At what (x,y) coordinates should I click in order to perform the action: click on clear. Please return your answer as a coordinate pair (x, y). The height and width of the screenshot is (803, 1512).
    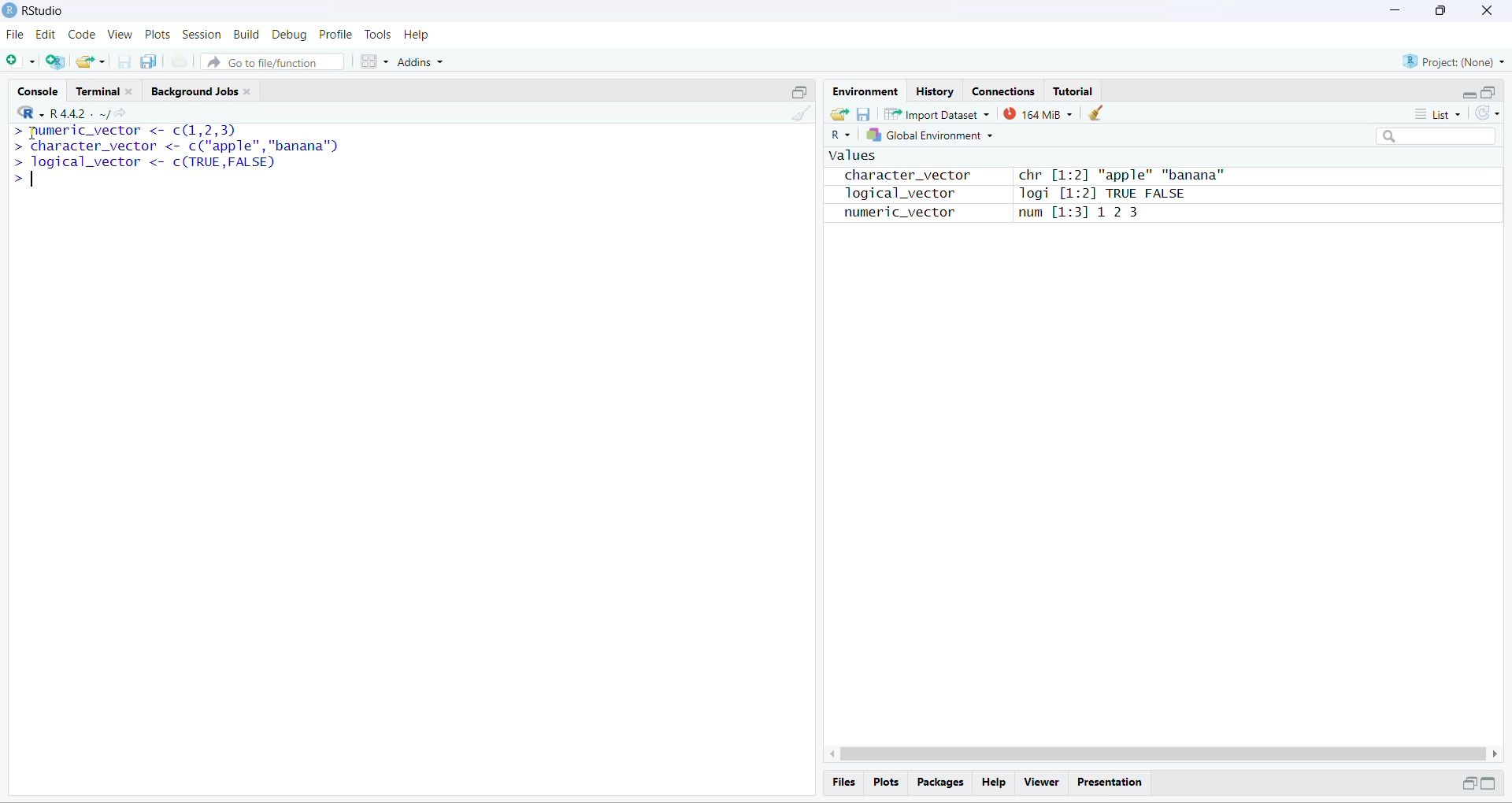
    Looking at the image, I should click on (1098, 113).